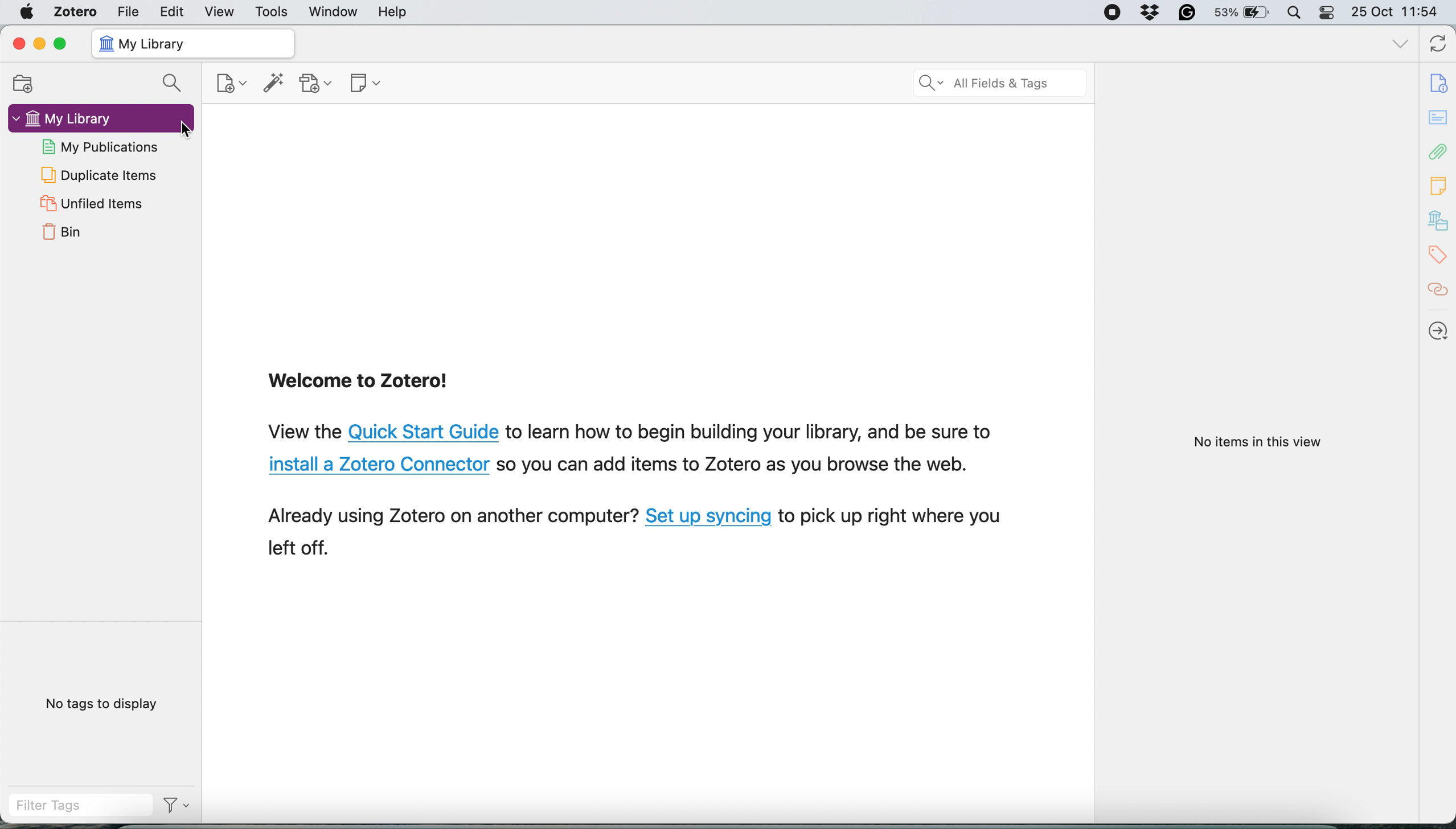 The width and height of the screenshot is (1456, 829). Describe the element at coordinates (41, 44) in the screenshot. I see `minimise` at that location.